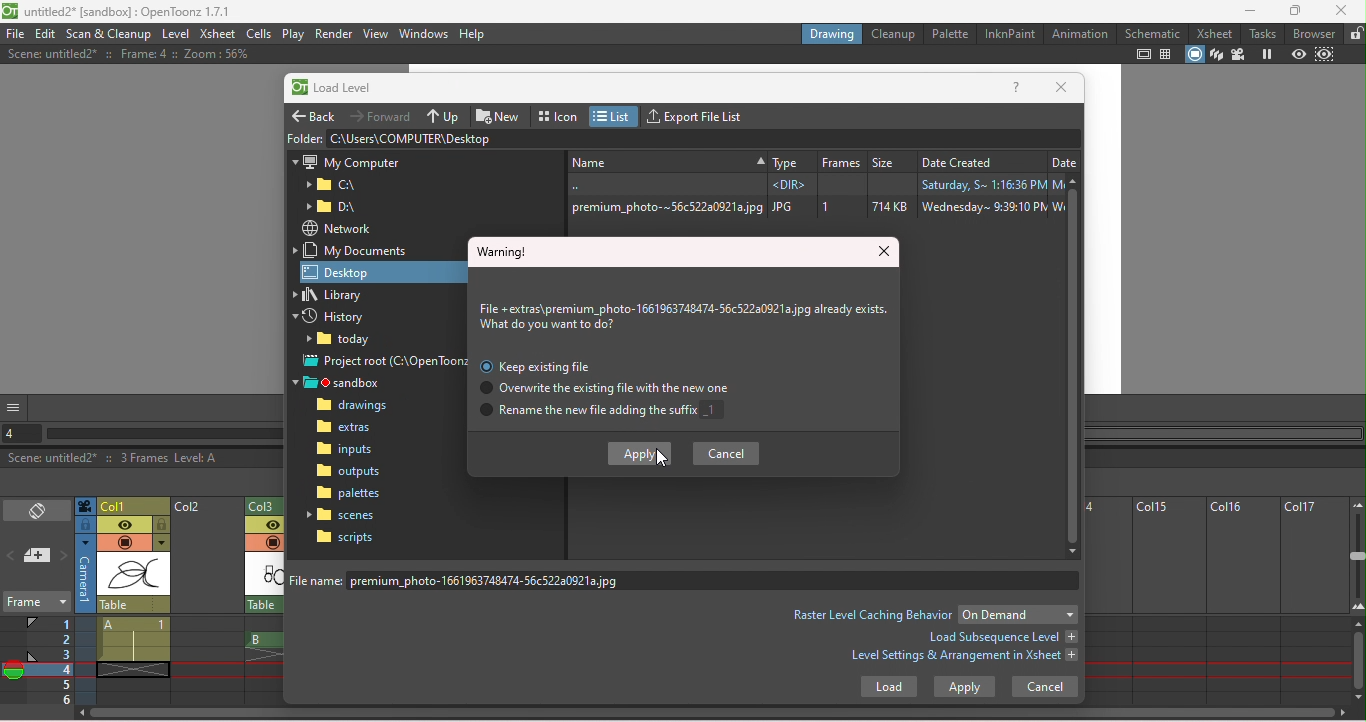  I want to click on Level settings & Arrangement in Xsheet, so click(965, 658).